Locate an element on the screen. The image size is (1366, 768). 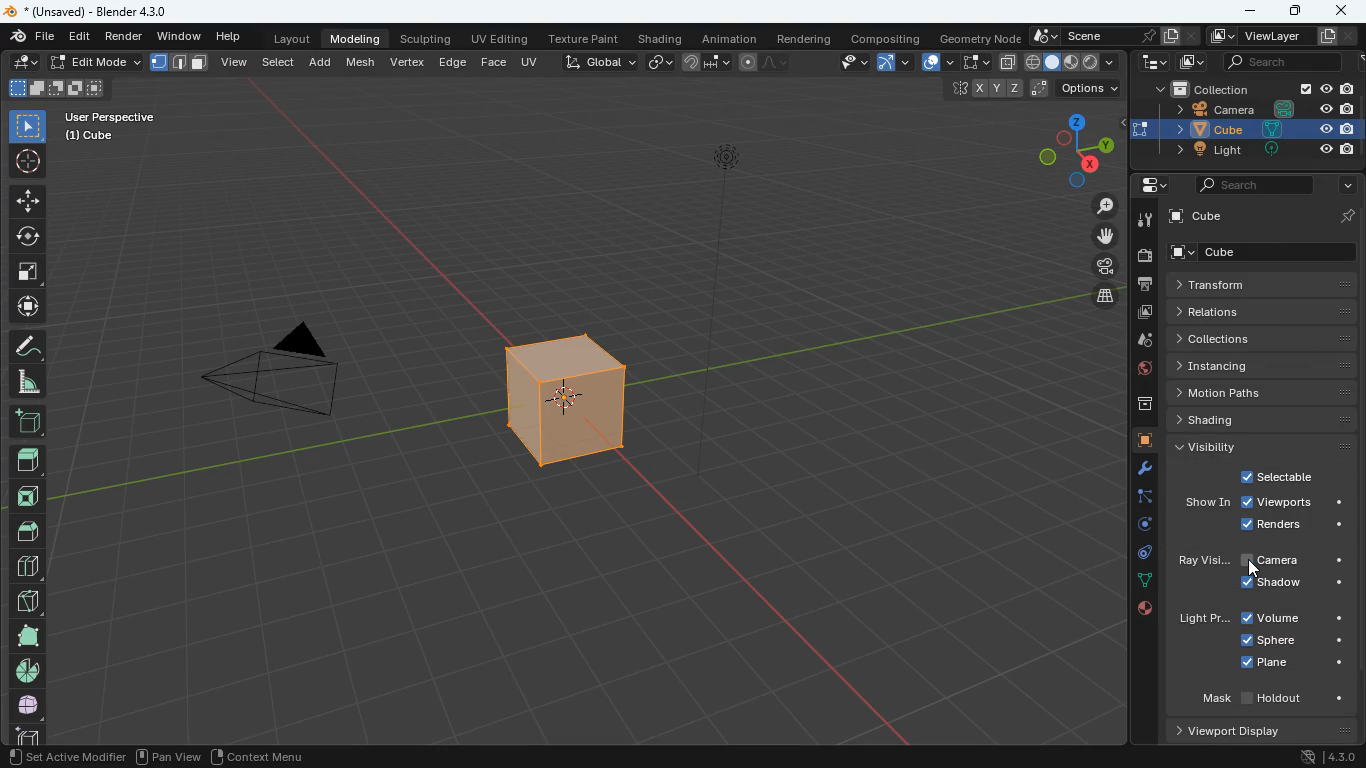
dimensions is located at coordinates (1075, 151).